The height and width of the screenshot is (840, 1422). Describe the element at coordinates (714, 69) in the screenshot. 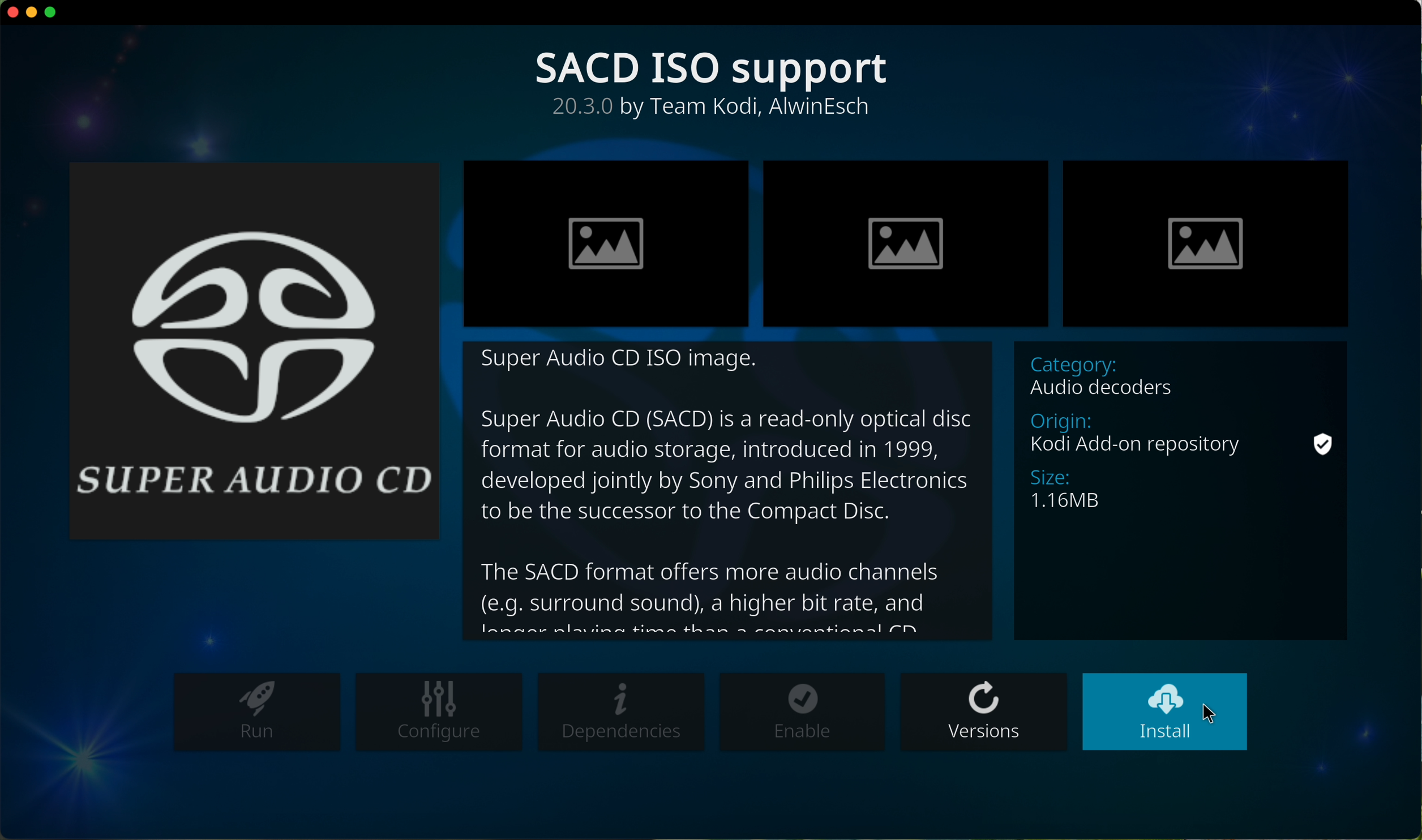

I see `SACD ISO support` at that location.